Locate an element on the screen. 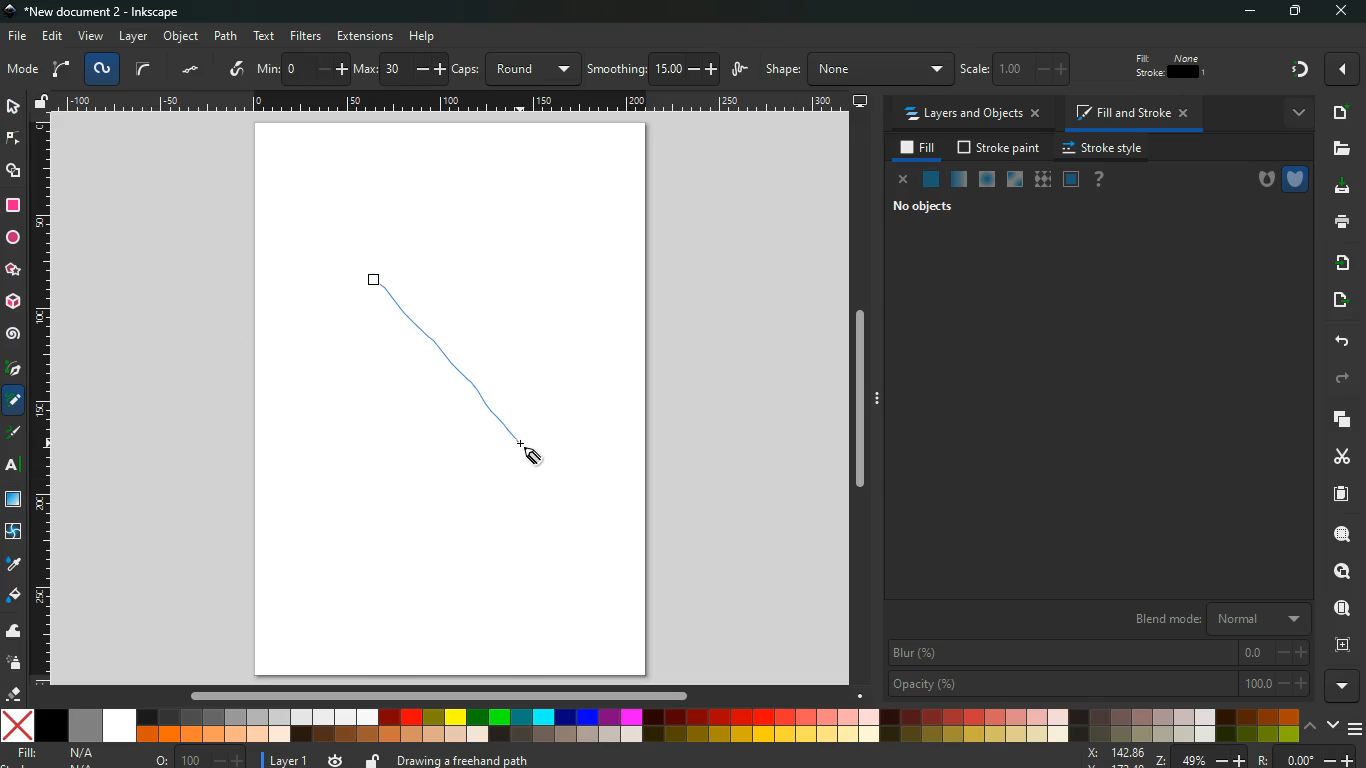  forward is located at coordinates (1344, 379).